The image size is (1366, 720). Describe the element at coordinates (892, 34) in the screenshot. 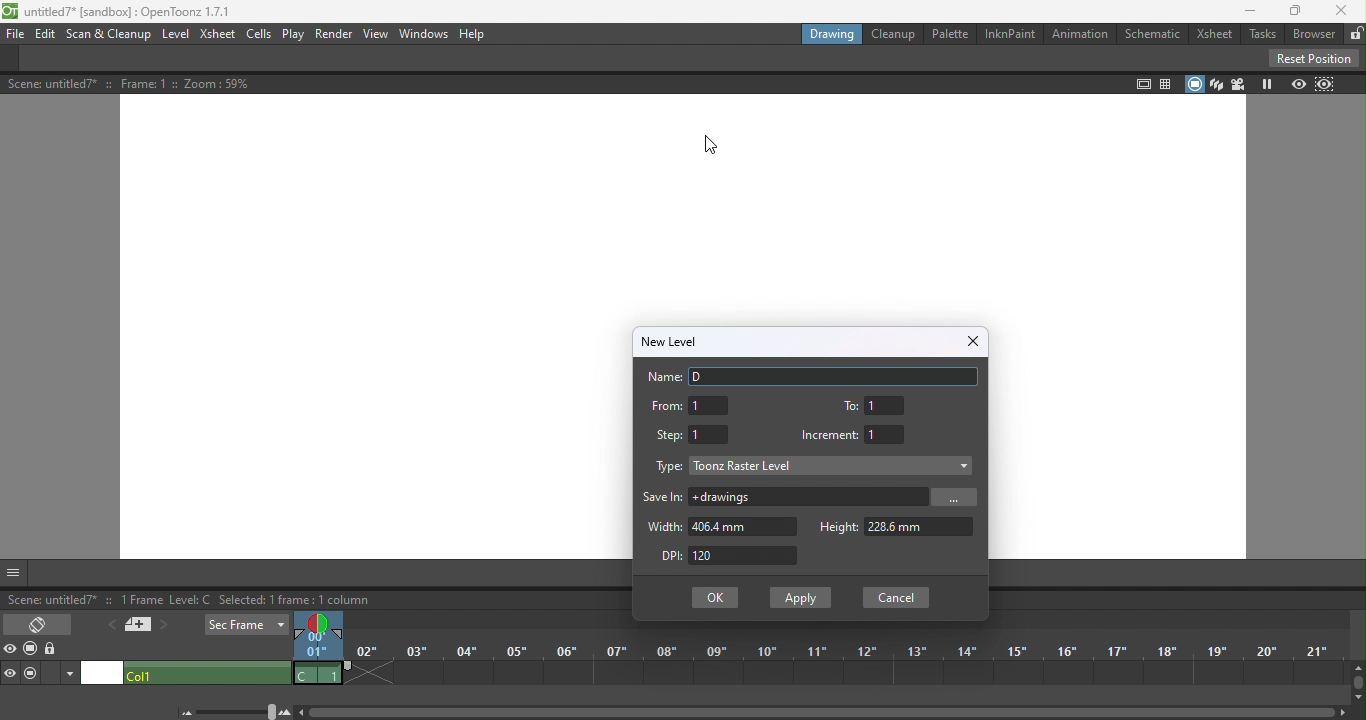

I see `Cleanup` at that location.